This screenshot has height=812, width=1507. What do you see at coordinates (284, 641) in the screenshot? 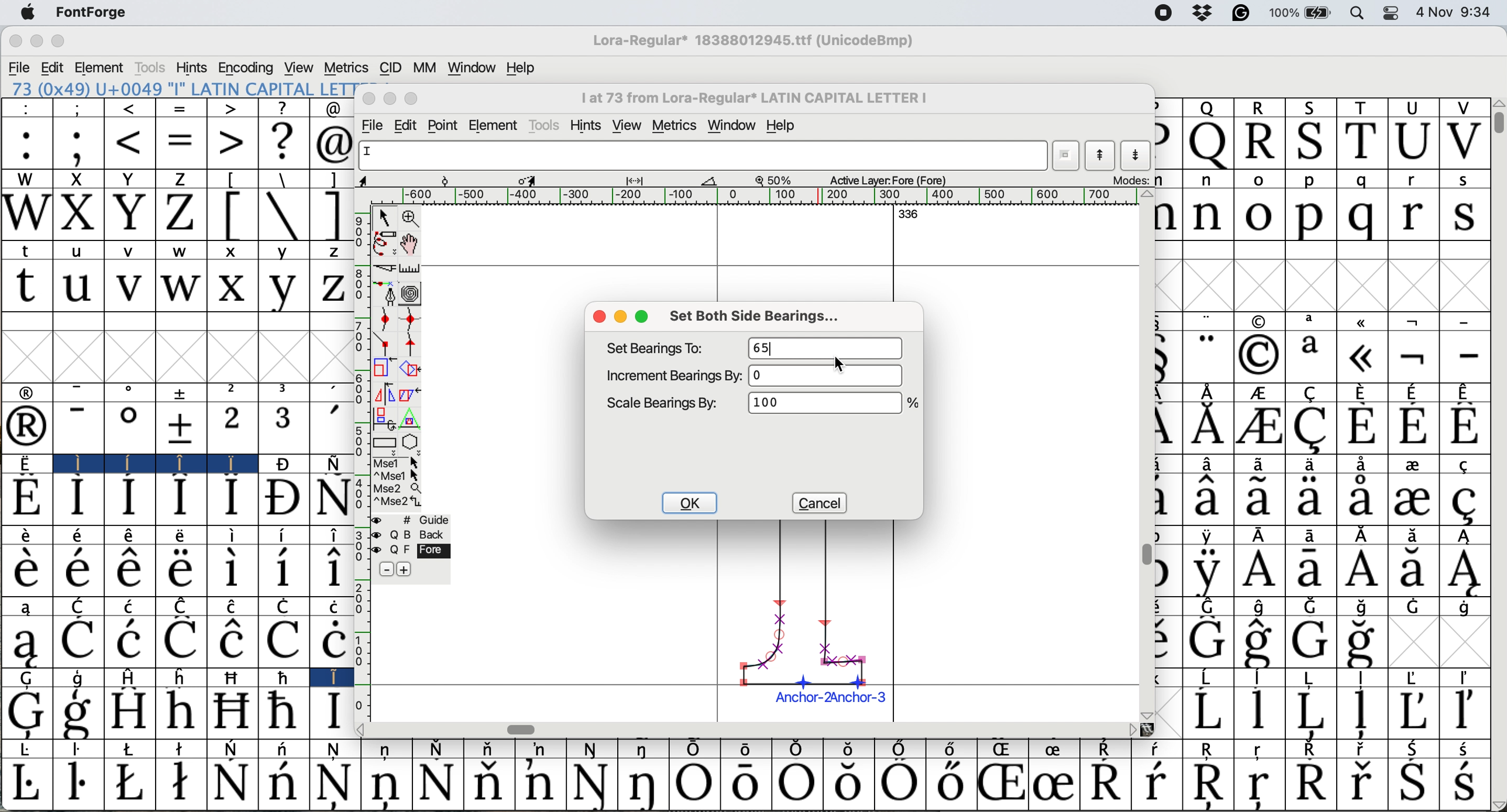
I see `Symbol` at bounding box center [284, 641].